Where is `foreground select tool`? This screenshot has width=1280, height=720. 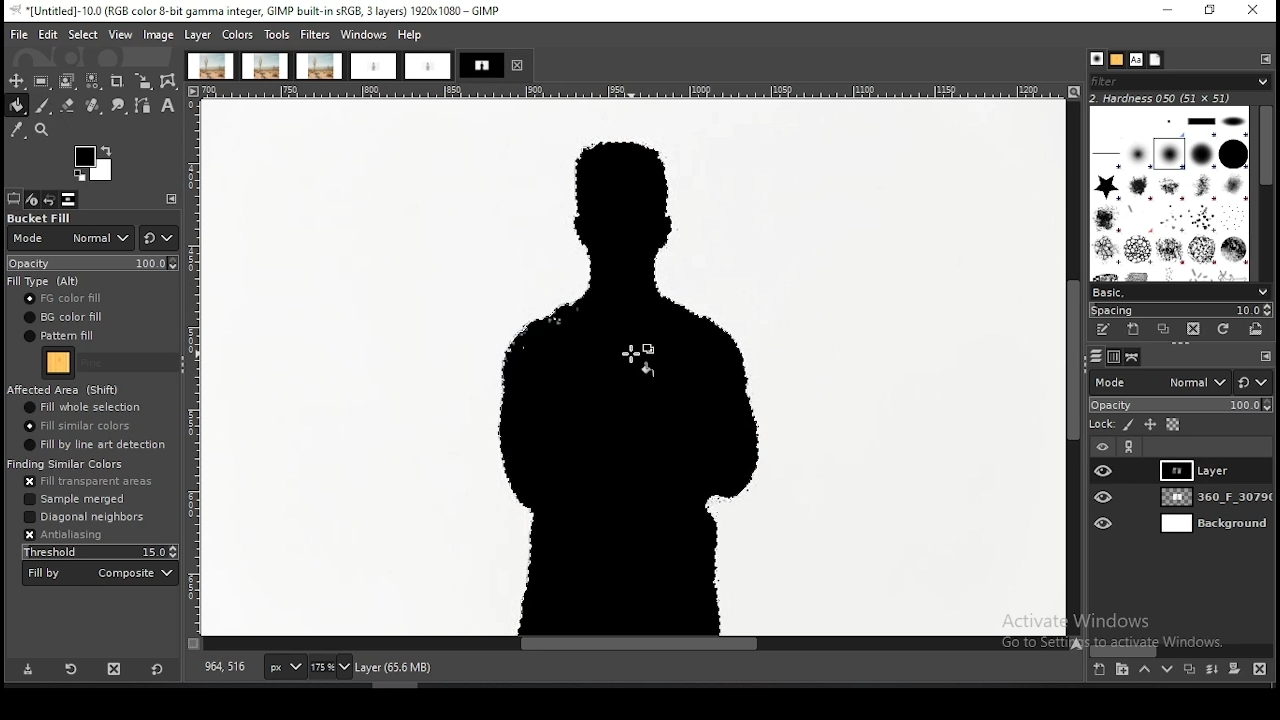 foreground select tool is located at coordinates (67, 81).